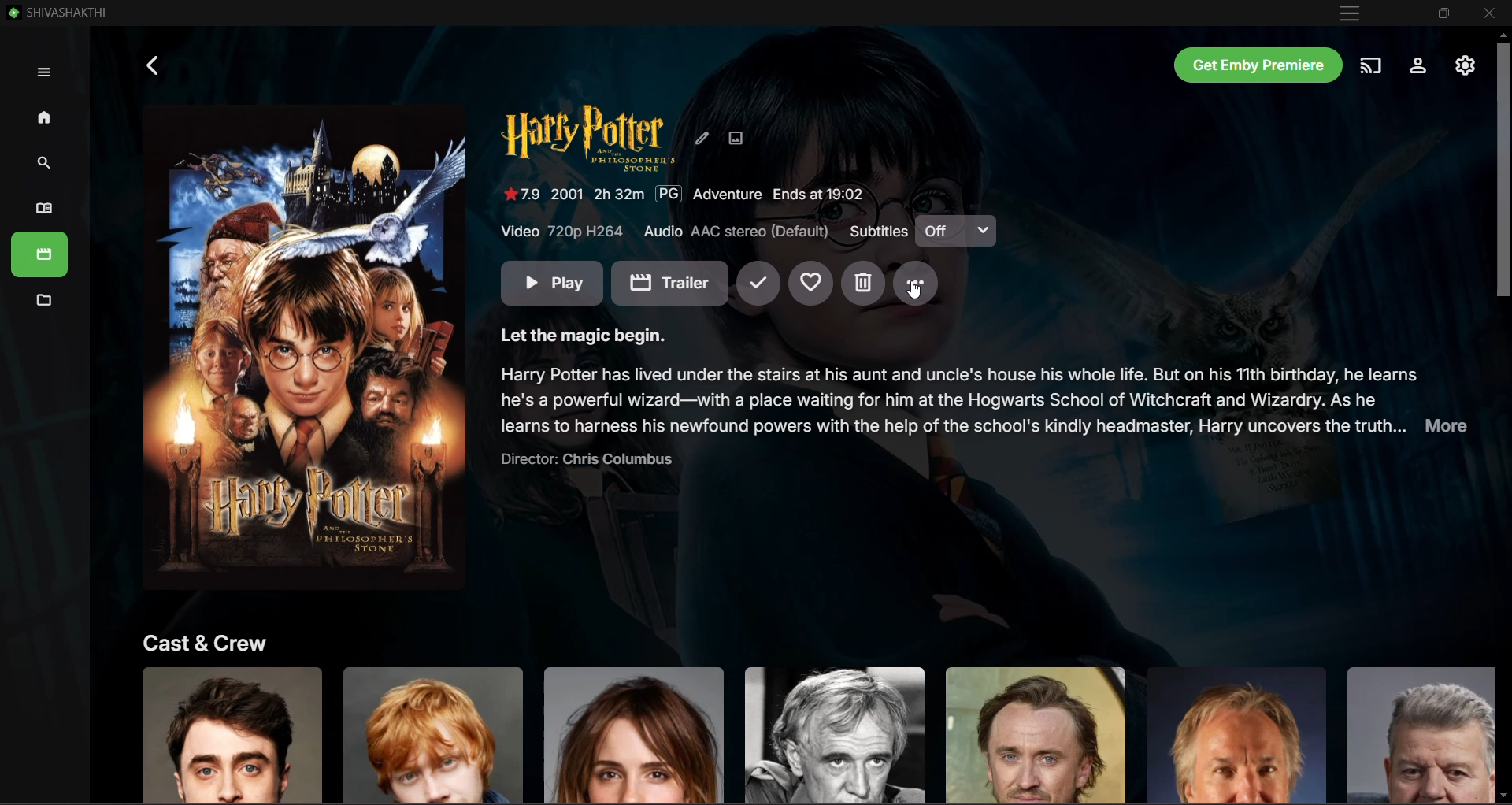 This screenshot has width=1512, height=805. I want to click on Trailer, so click(669, 283).